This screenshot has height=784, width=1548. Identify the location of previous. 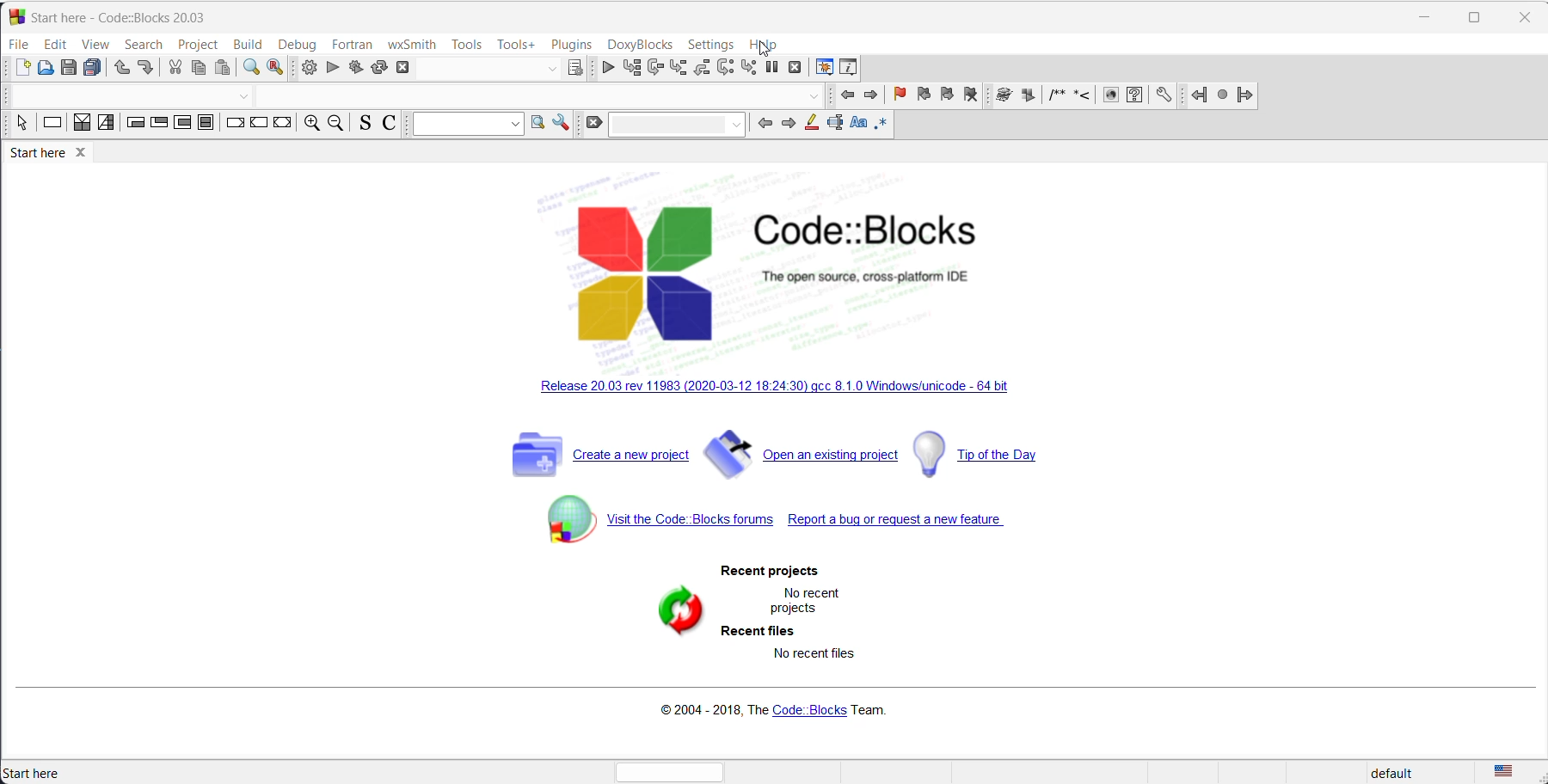
(762, 125).